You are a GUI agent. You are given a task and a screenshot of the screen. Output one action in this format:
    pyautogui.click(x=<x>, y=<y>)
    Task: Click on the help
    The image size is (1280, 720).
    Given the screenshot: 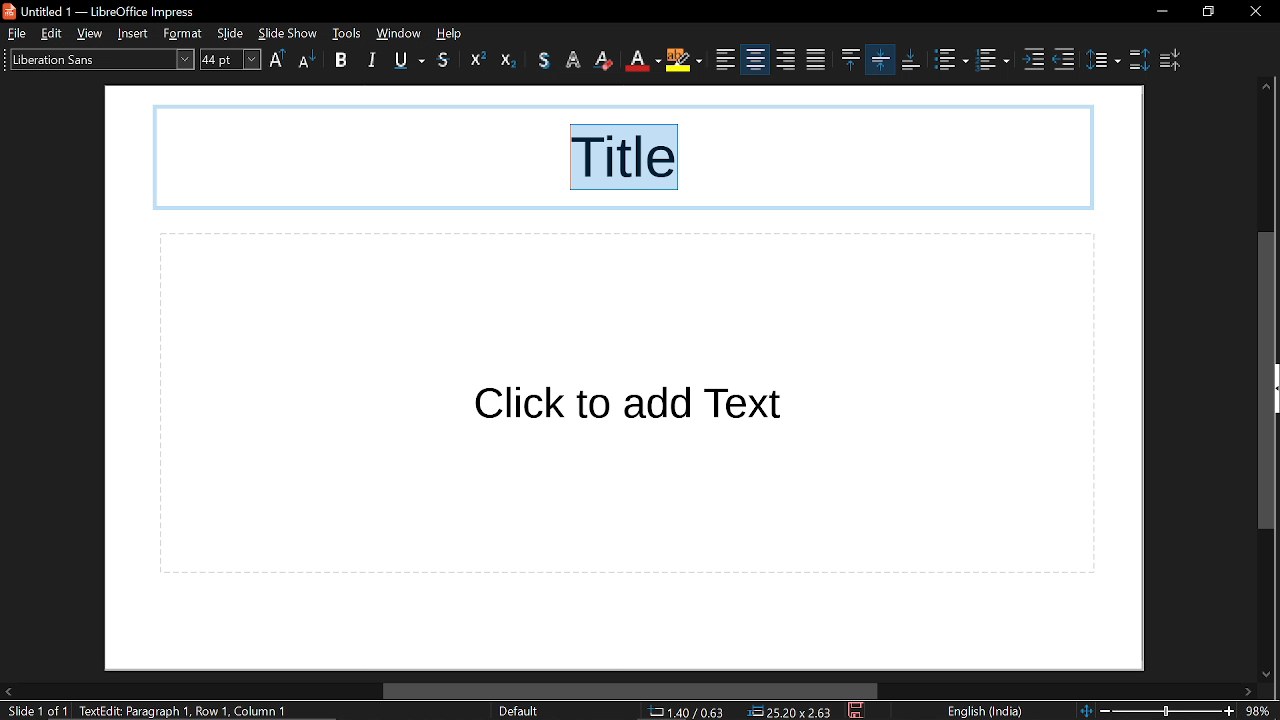 What is the action you would take?
    pyautogui.click(x=454, y=33)
    